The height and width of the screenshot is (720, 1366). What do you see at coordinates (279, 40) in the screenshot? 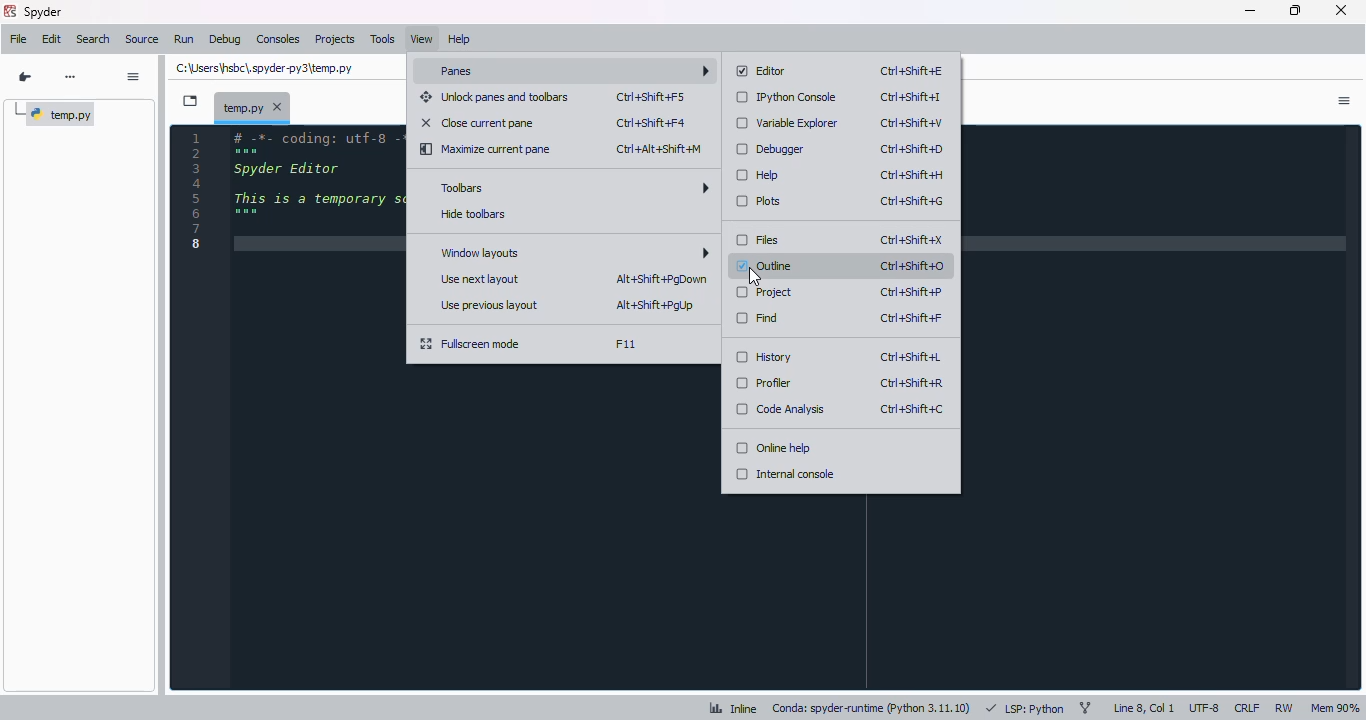
I see `consoles` at bounding box center [279, 40].